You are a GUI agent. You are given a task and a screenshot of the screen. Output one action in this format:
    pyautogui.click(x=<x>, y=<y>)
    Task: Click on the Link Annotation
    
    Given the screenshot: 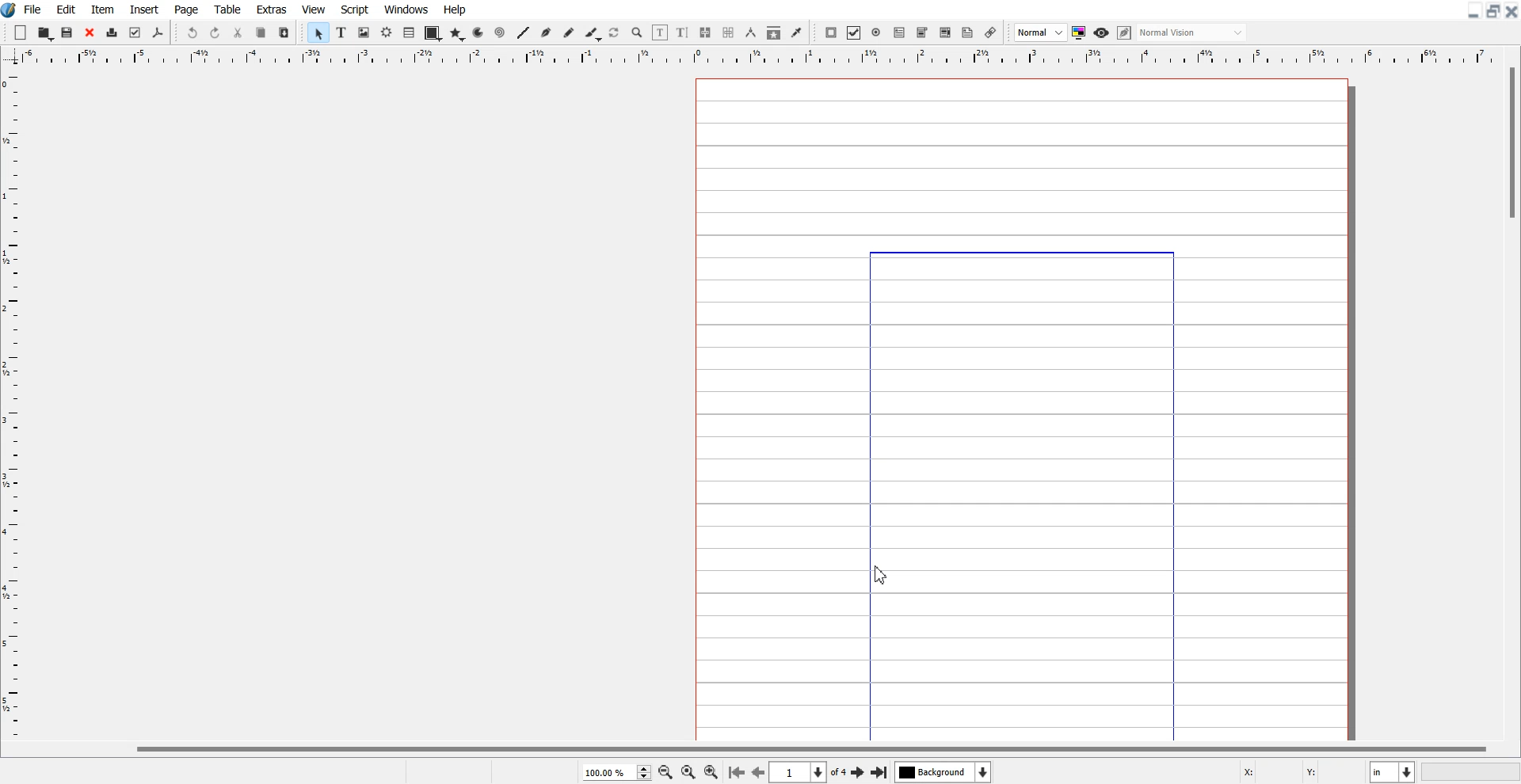 What is the action you would take?
    pyautogui.click(x=990, y=33)
    